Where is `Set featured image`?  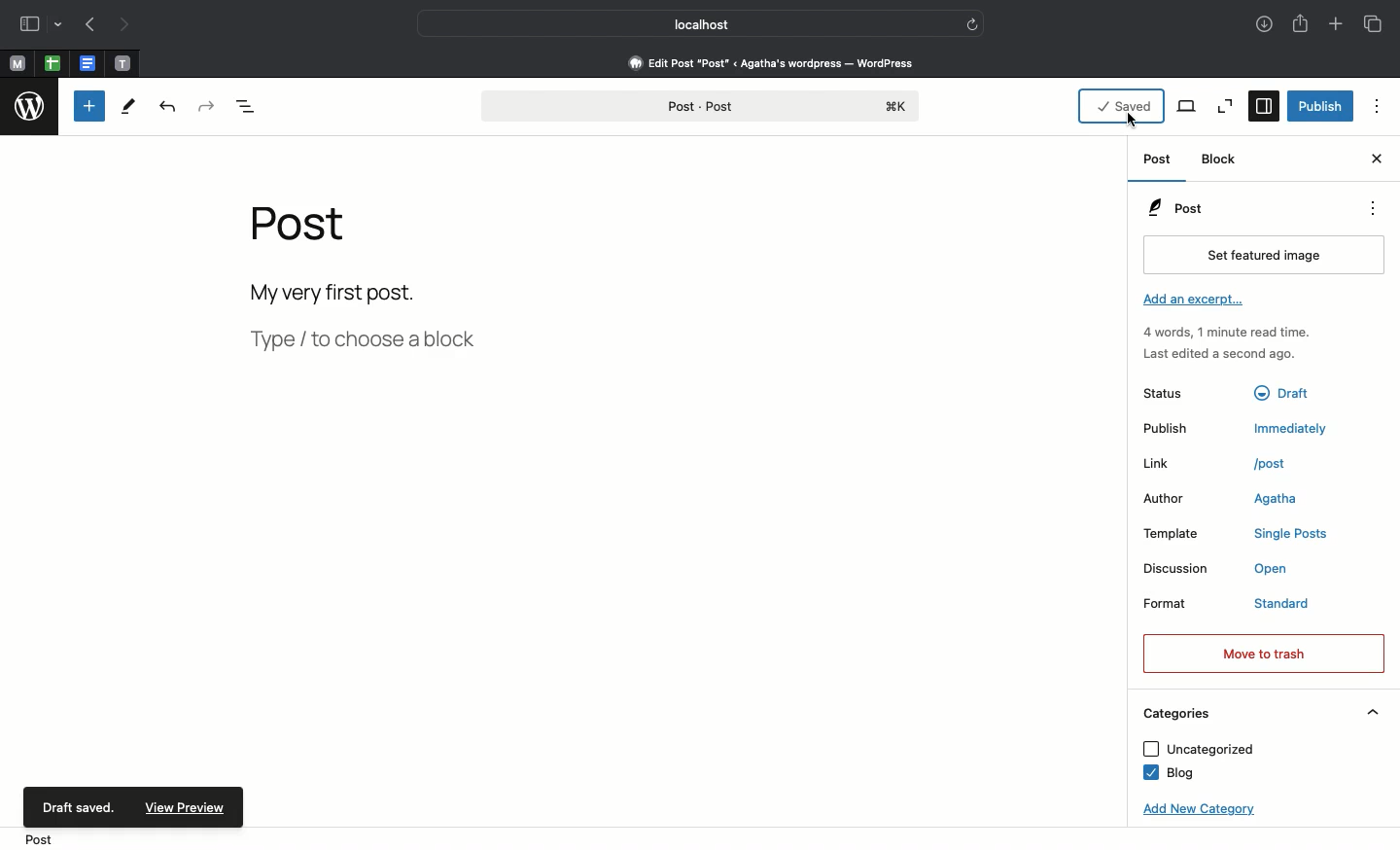
Set featured image is located at coordinates (1259, 256).